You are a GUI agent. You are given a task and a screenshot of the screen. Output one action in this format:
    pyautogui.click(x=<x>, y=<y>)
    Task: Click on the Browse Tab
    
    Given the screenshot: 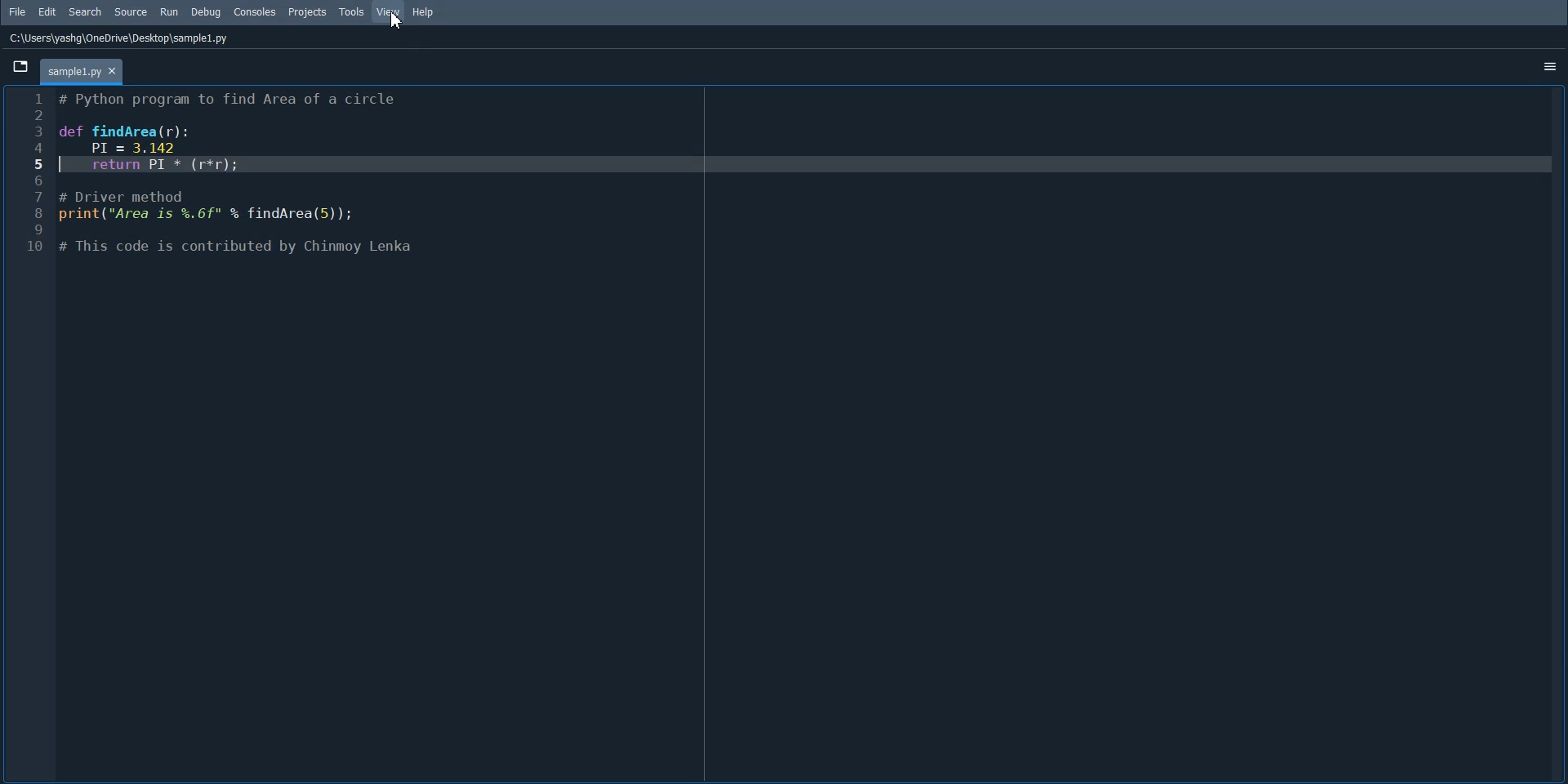 What is the action you would take?
    pyautogui.click(x=19, y=66)
    